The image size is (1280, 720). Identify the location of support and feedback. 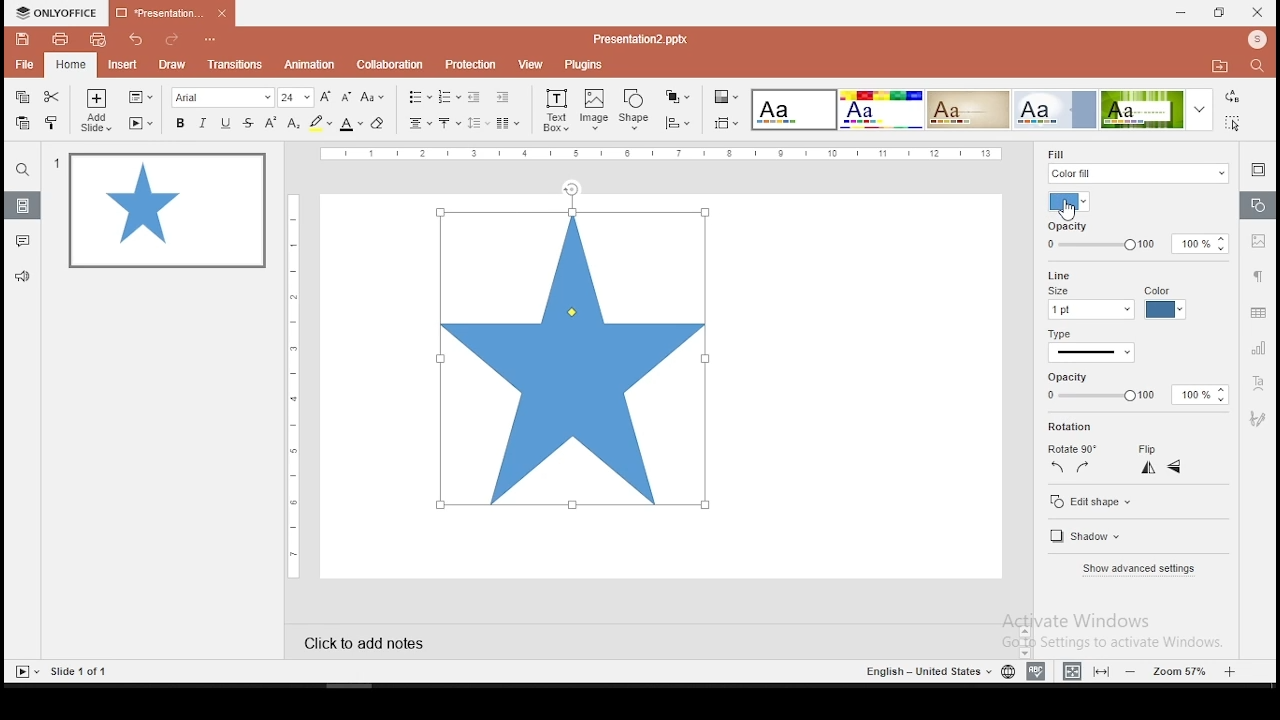
(23, 277).